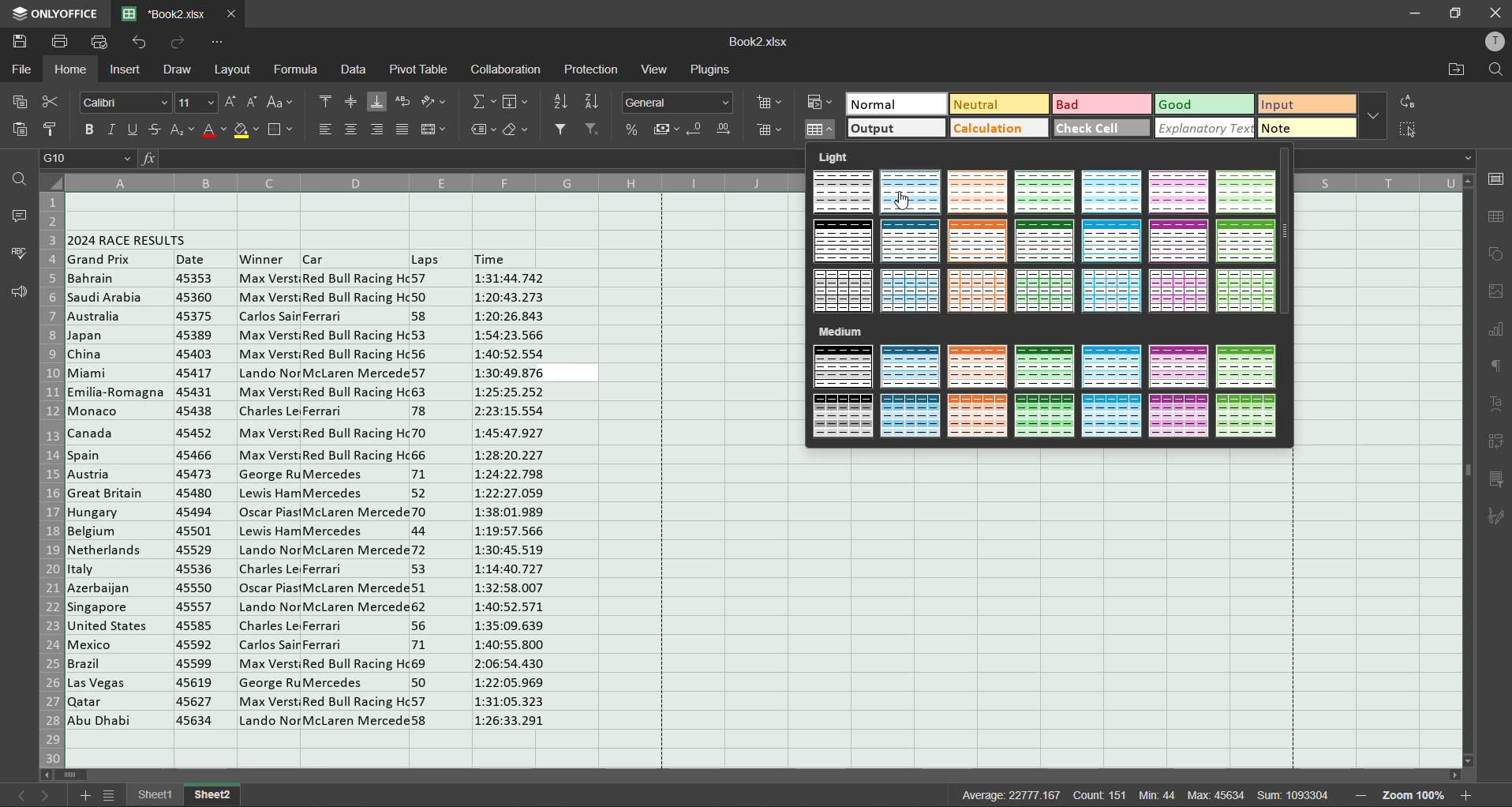 This screenshot has height=807, width=1512. Describe the element at coordinates (270, 499) in the screenshot. I see `winner` at that location.